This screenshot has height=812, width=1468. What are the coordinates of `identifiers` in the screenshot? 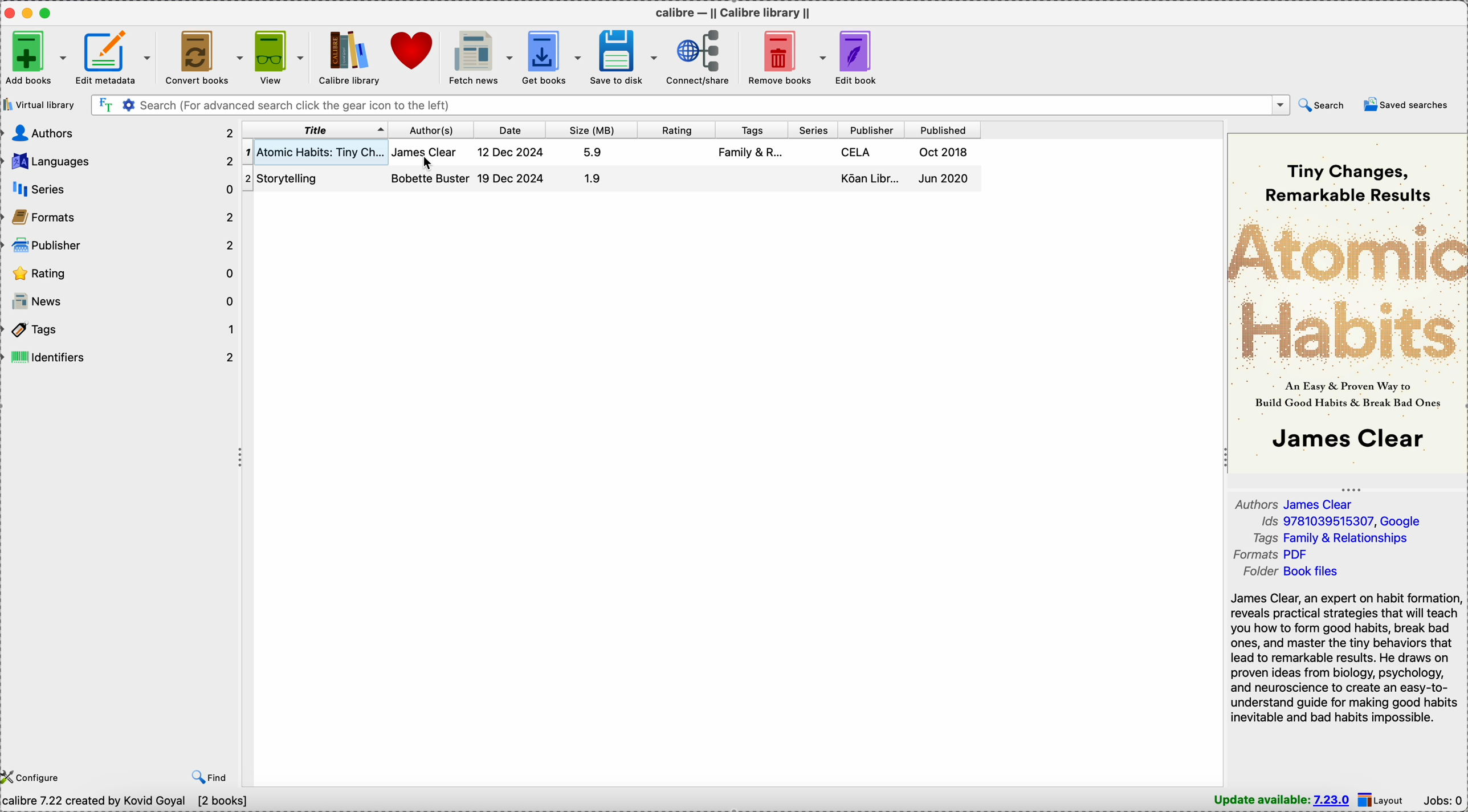 It's located at (121, 357).